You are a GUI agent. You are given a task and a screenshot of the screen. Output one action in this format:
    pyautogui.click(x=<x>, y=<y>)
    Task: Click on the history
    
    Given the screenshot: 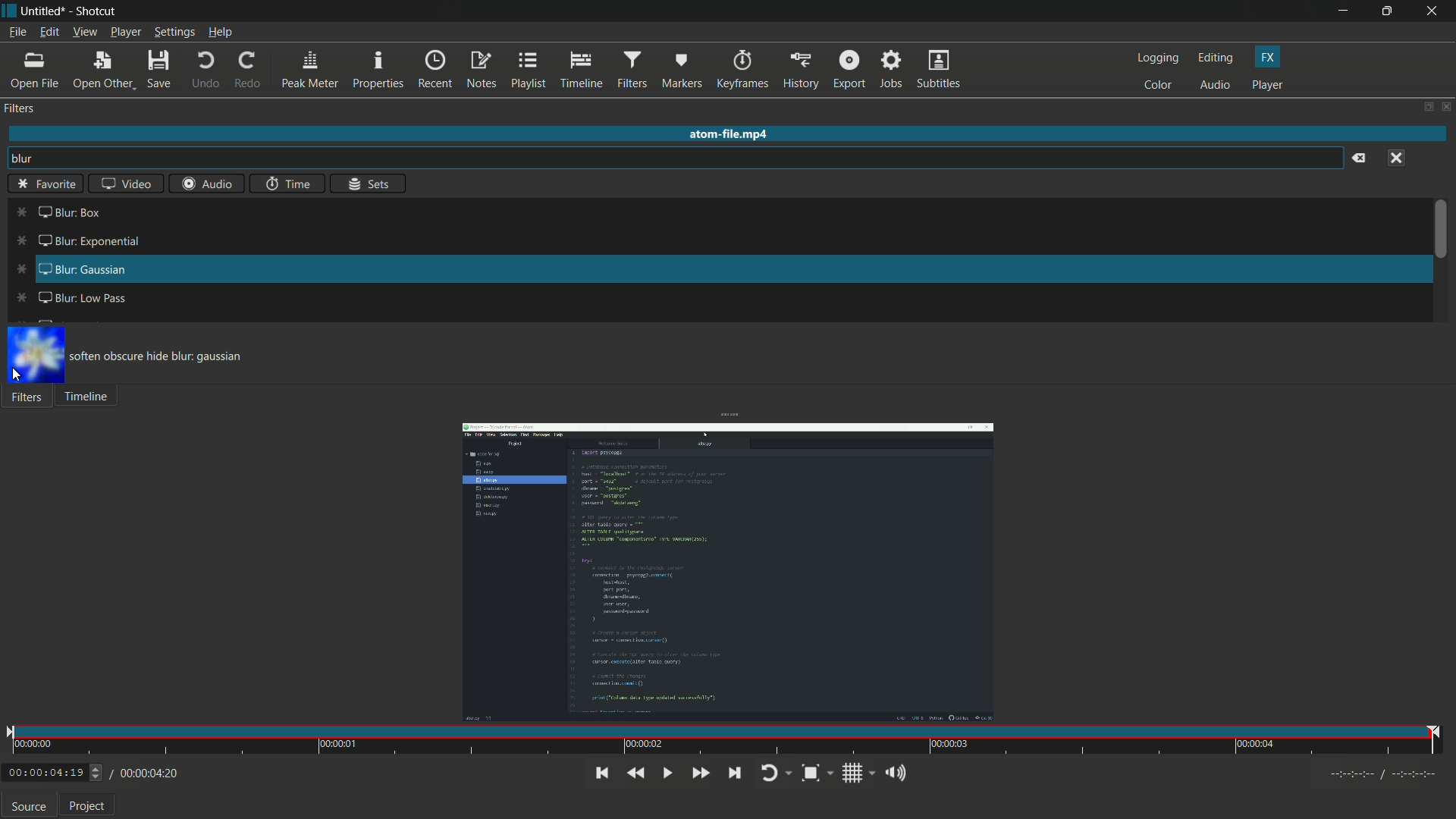 What is the action you would take?
    pyautogui.click(x=800, y=71)
    